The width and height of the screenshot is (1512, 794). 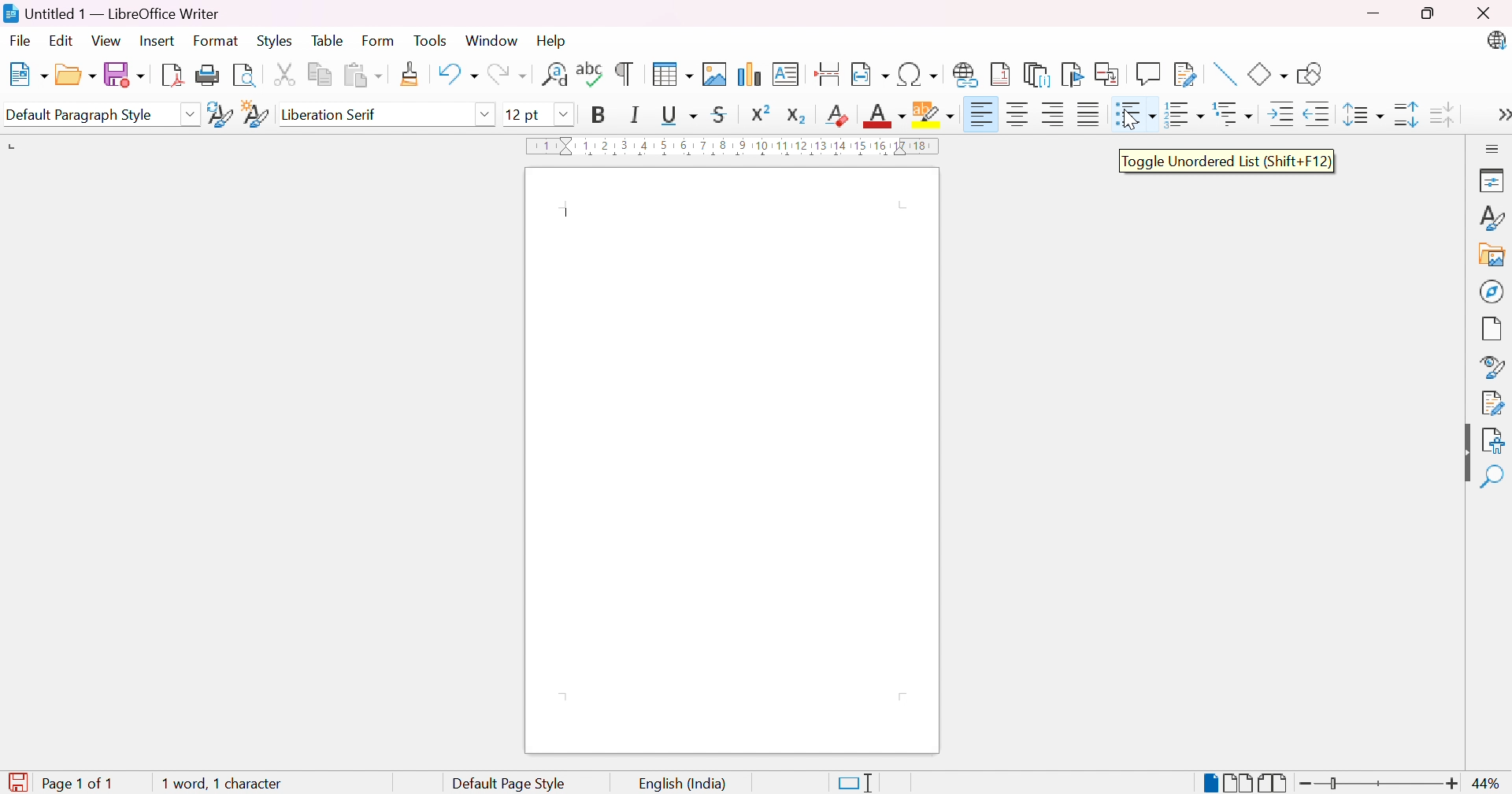 What do you see at coordinates (220, 114) in the screenshot?
I see `Update selected style` at bounding box center [220, 114].